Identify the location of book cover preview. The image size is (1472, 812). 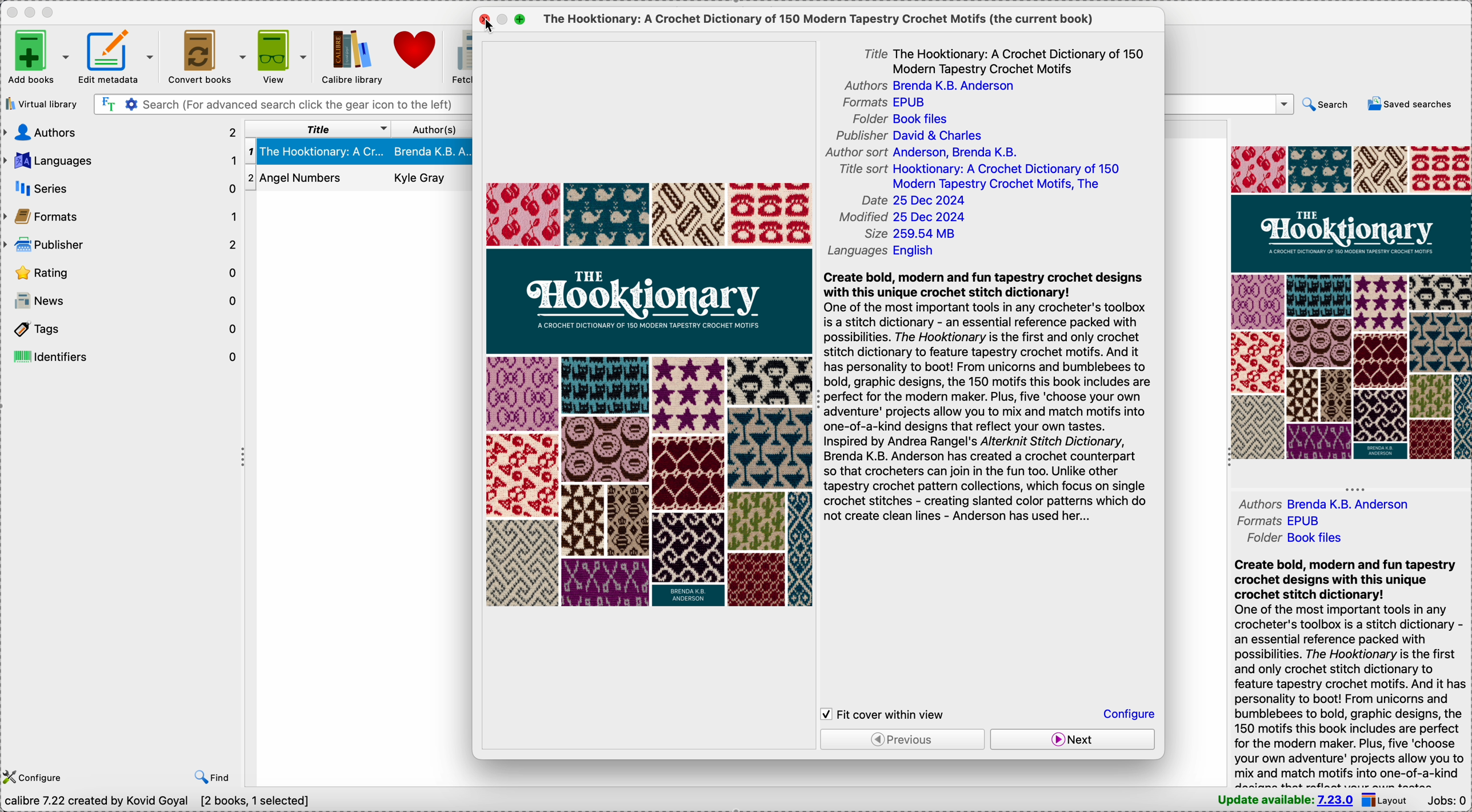
(1351, 302).